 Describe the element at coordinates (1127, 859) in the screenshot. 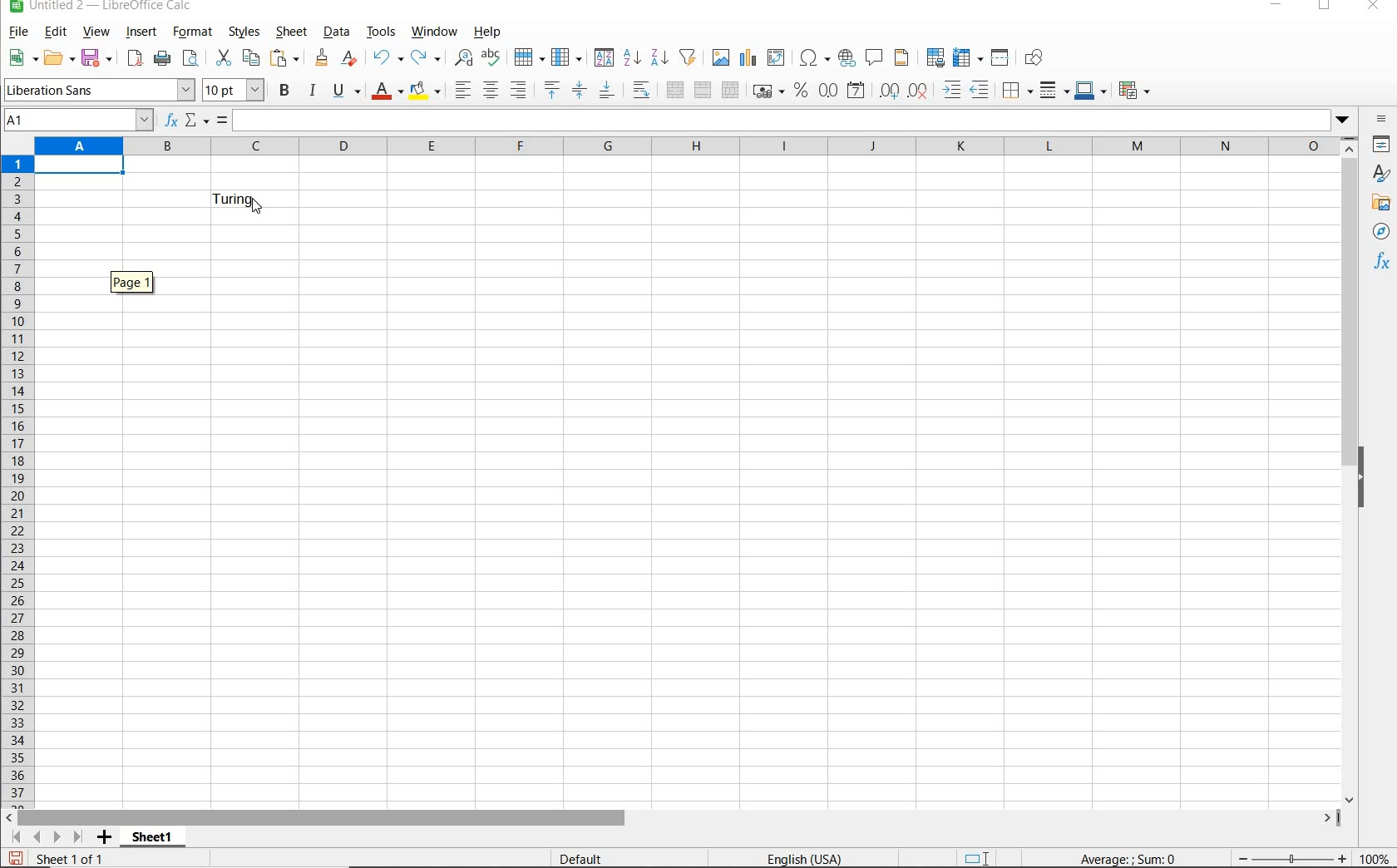

I see `FORMULA` at that location.